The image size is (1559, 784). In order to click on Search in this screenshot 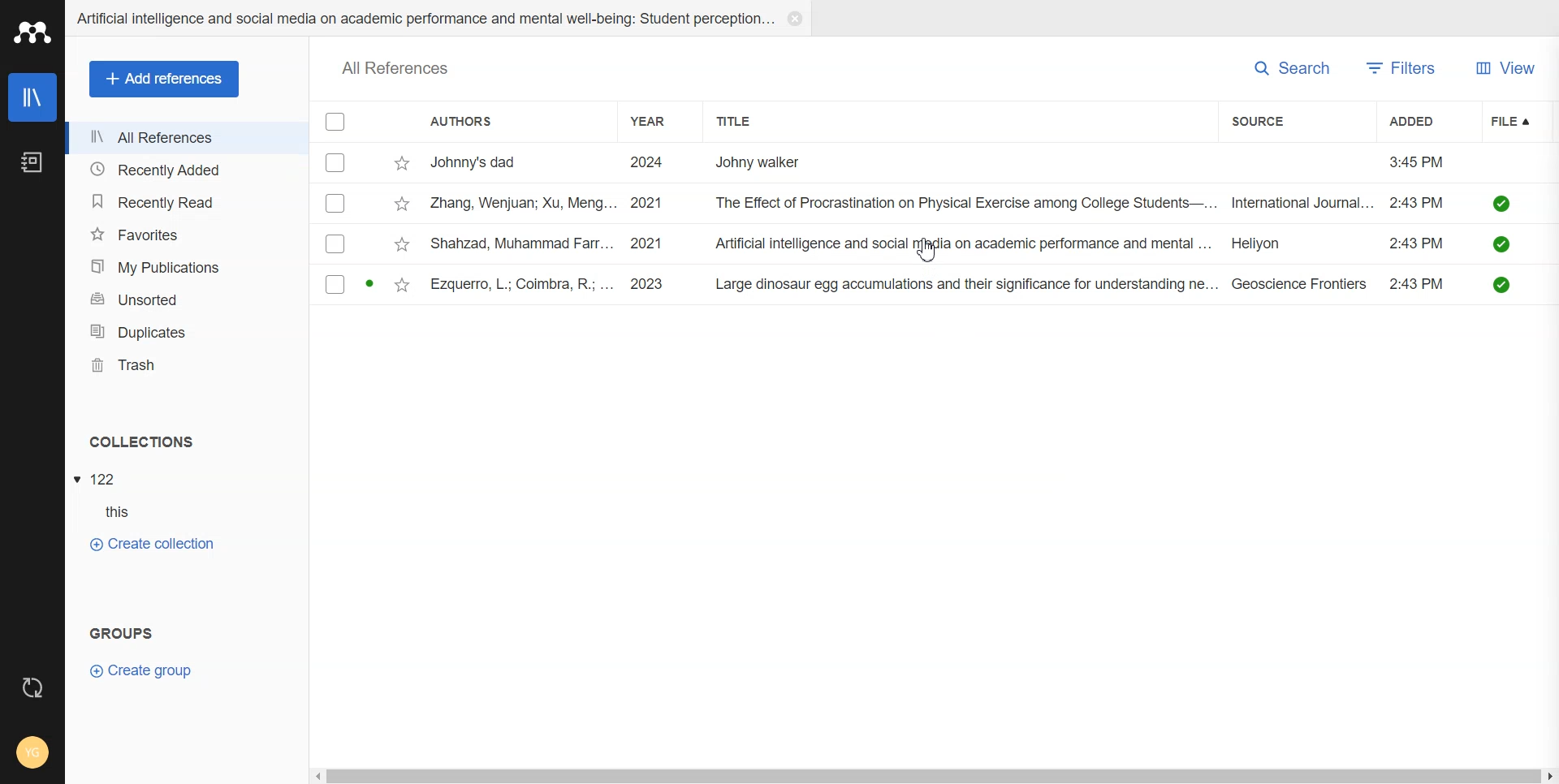, I will do `click(1293, 67)`.